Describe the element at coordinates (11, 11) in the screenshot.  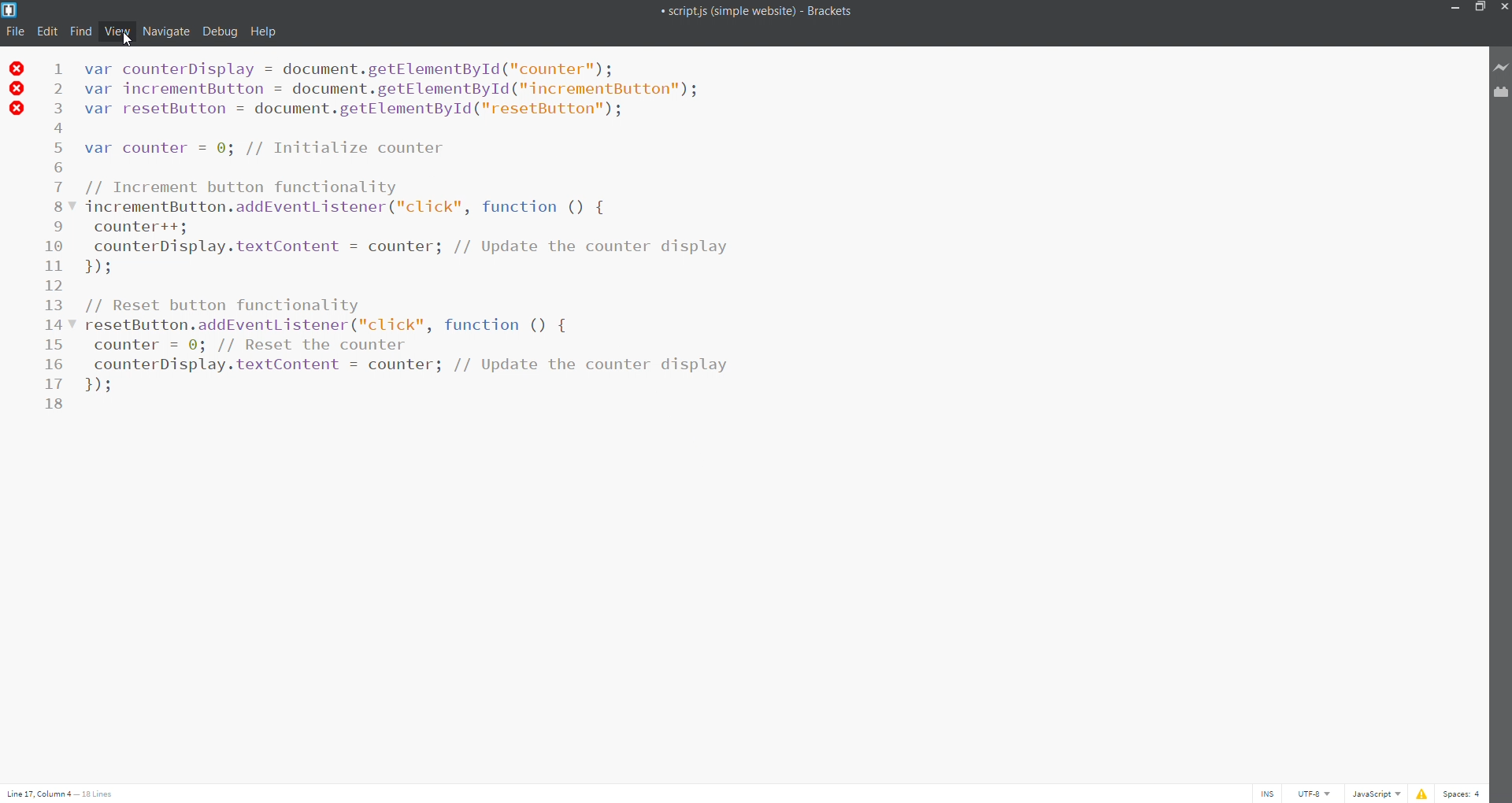
I see `brackets Logo` at that location.